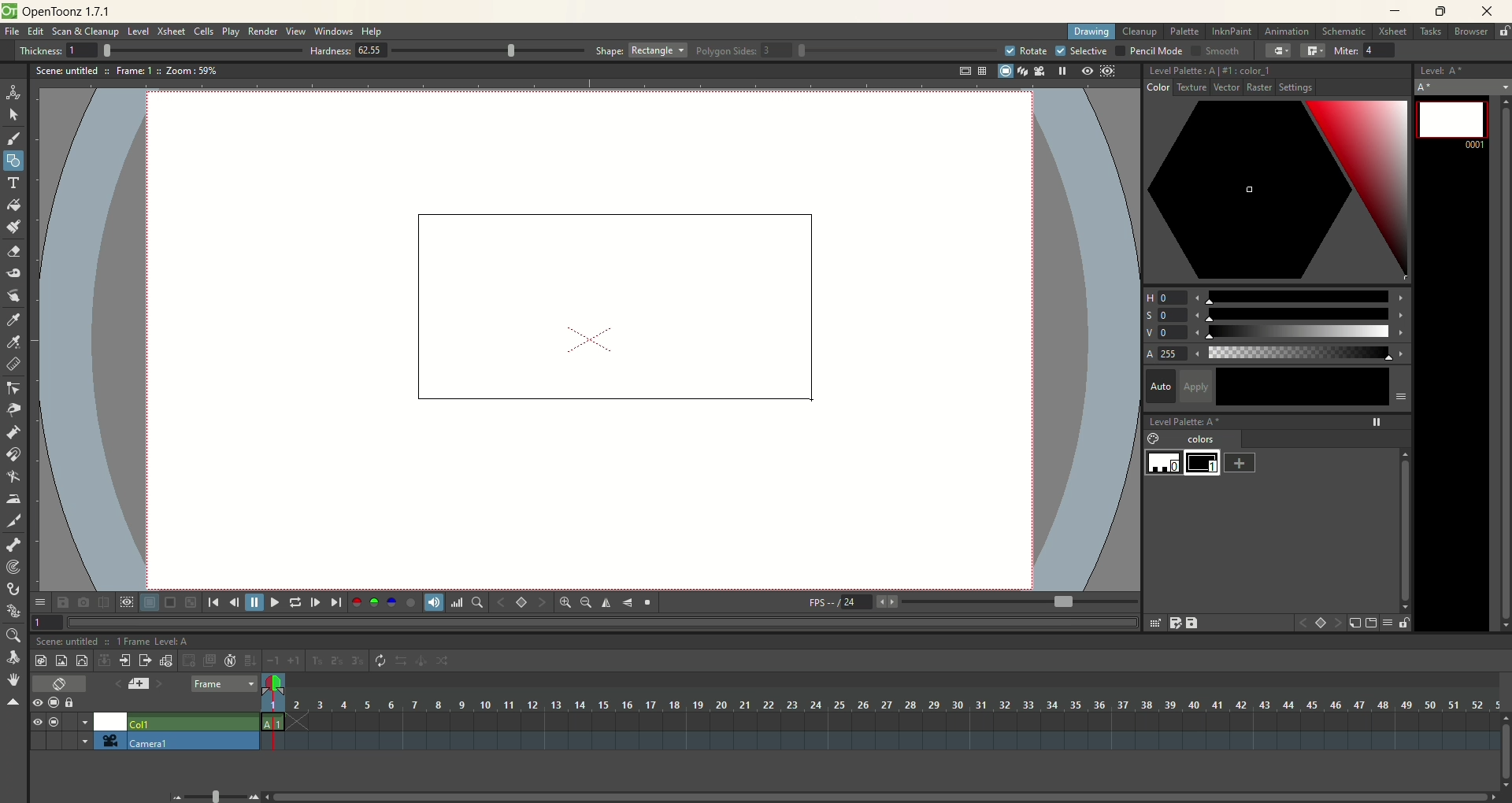 This screenshot has width=1512, height=803. I want to click on rotate, so click(16, 658).